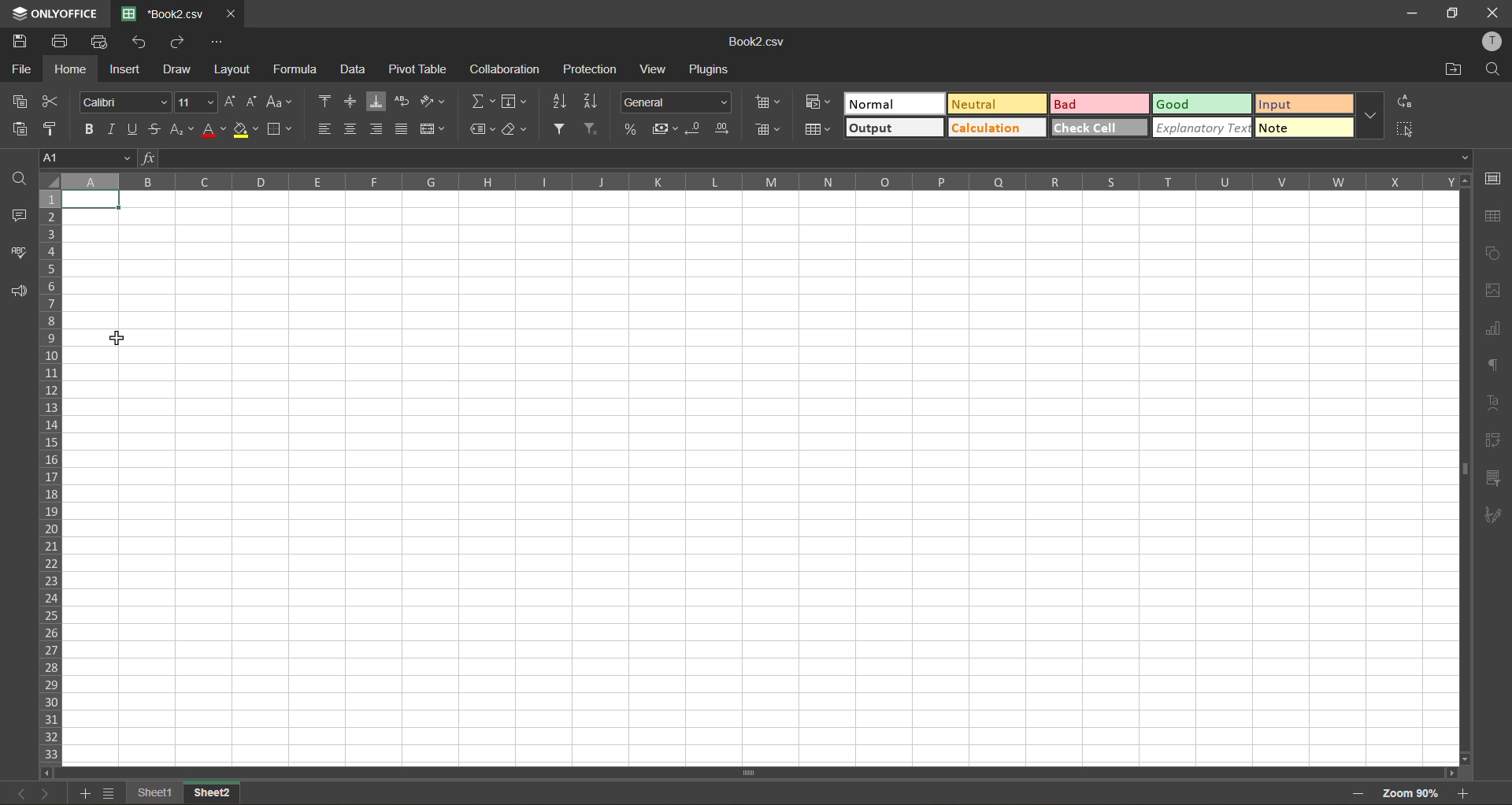  I want to click on accounting, so click(663, 129).